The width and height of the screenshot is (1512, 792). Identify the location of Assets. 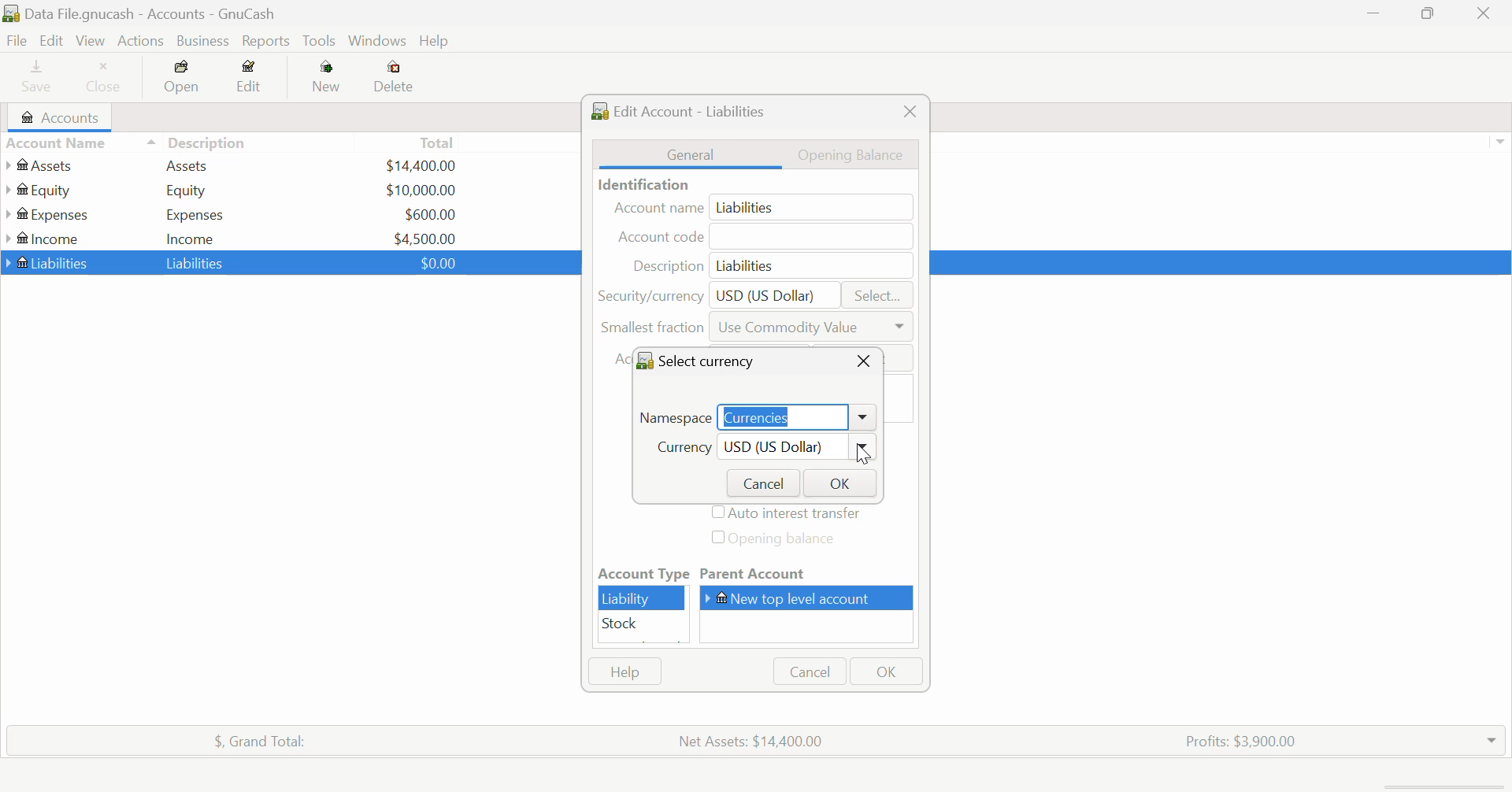
(187, 165).